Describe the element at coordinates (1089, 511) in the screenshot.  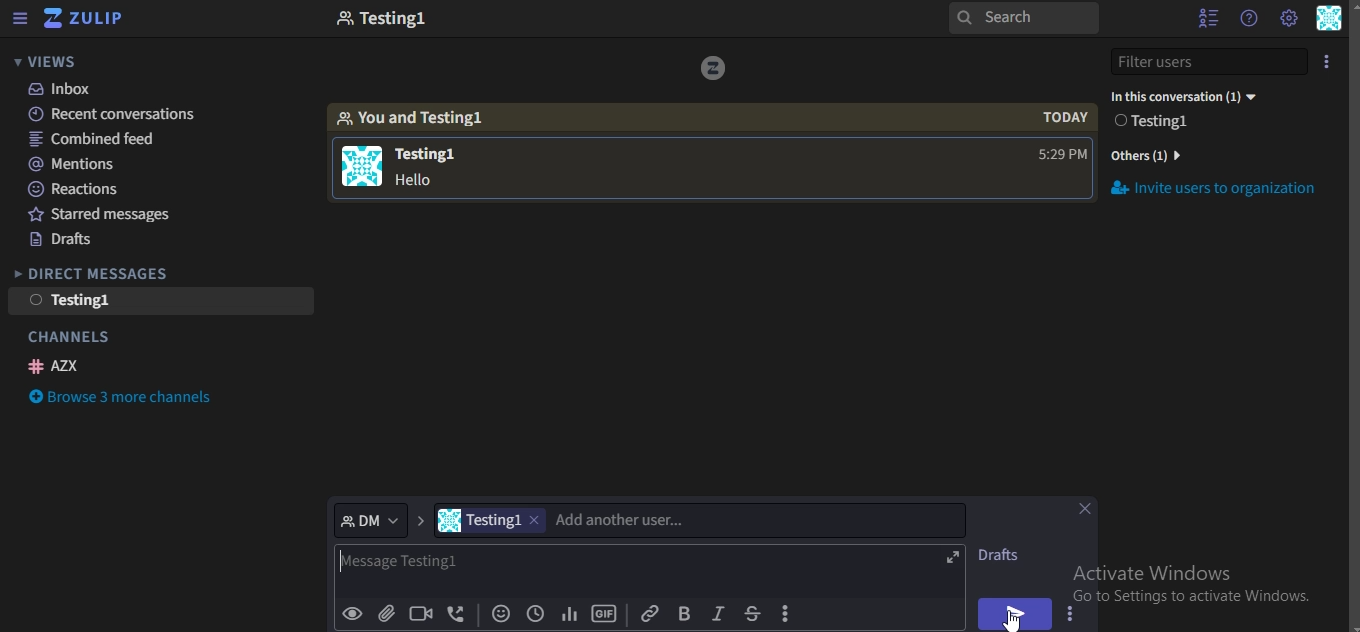
I see `close` at that location.